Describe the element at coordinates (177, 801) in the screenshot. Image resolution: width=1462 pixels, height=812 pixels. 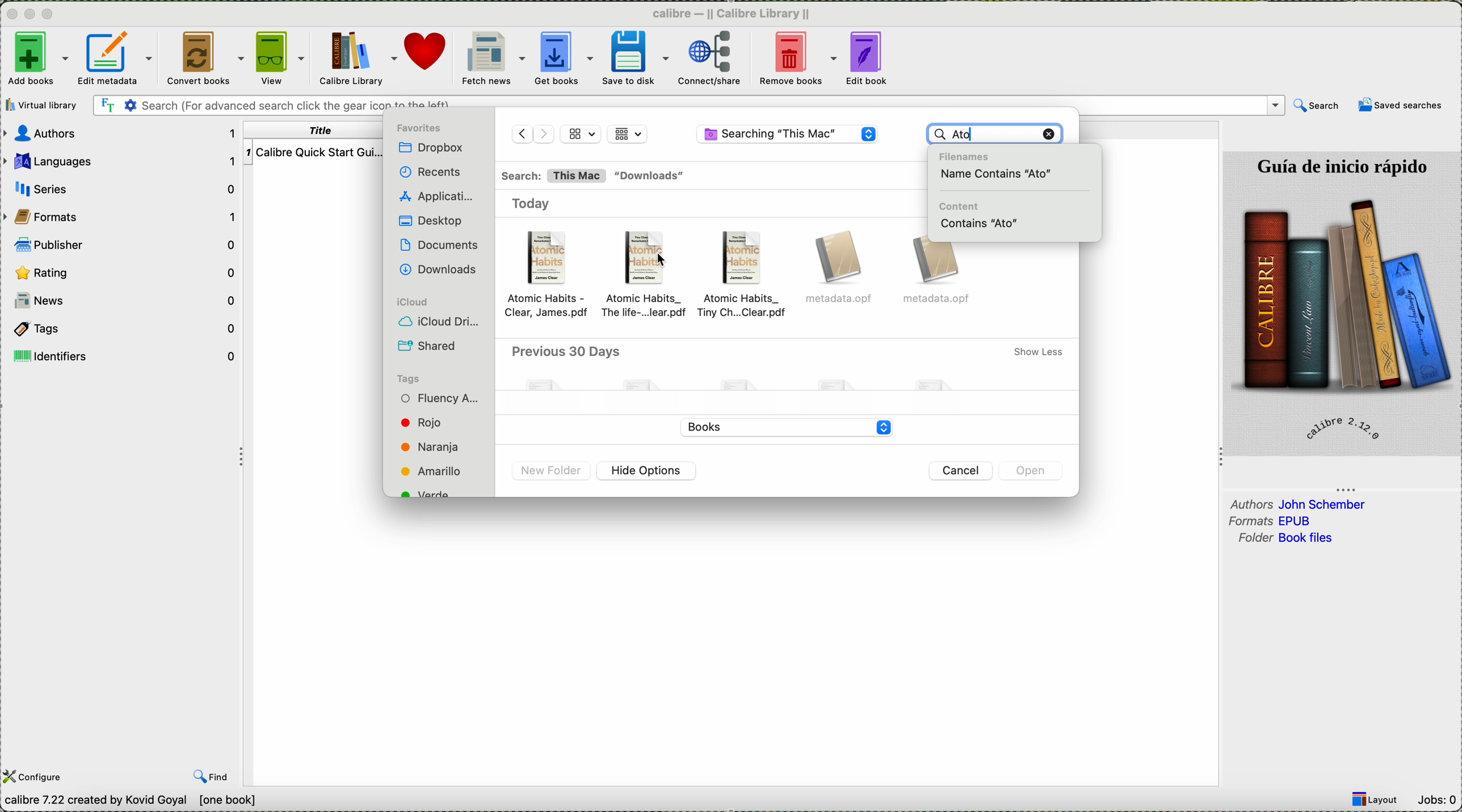
I see `data` at that location.